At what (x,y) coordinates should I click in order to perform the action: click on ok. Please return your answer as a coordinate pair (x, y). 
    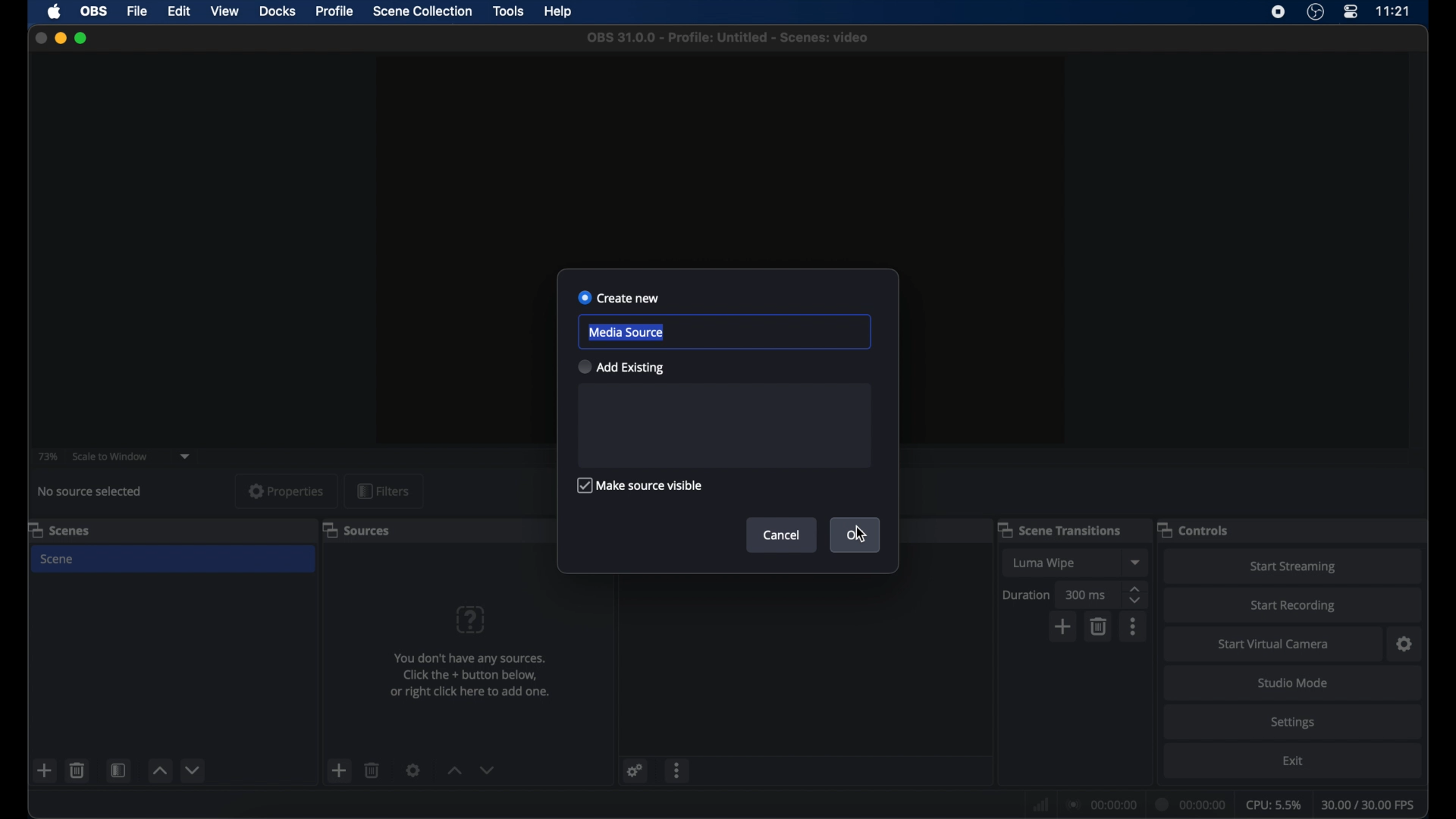
    Looking at the image, I should click on (856, 535).